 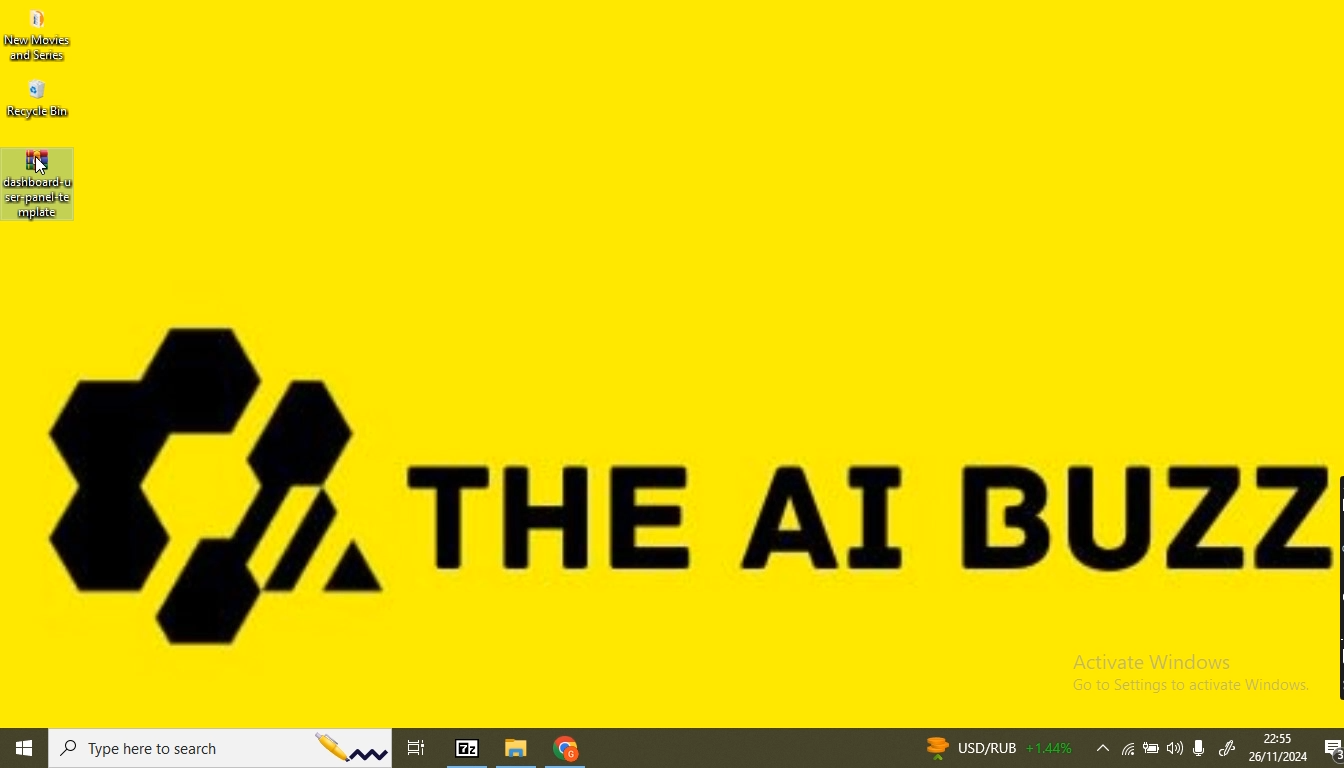 What do you see at coordinates (37, 183) in the screenshot?
I see `Dashboard_user_panel_template(file selected)` at bounding box center [37, 183].